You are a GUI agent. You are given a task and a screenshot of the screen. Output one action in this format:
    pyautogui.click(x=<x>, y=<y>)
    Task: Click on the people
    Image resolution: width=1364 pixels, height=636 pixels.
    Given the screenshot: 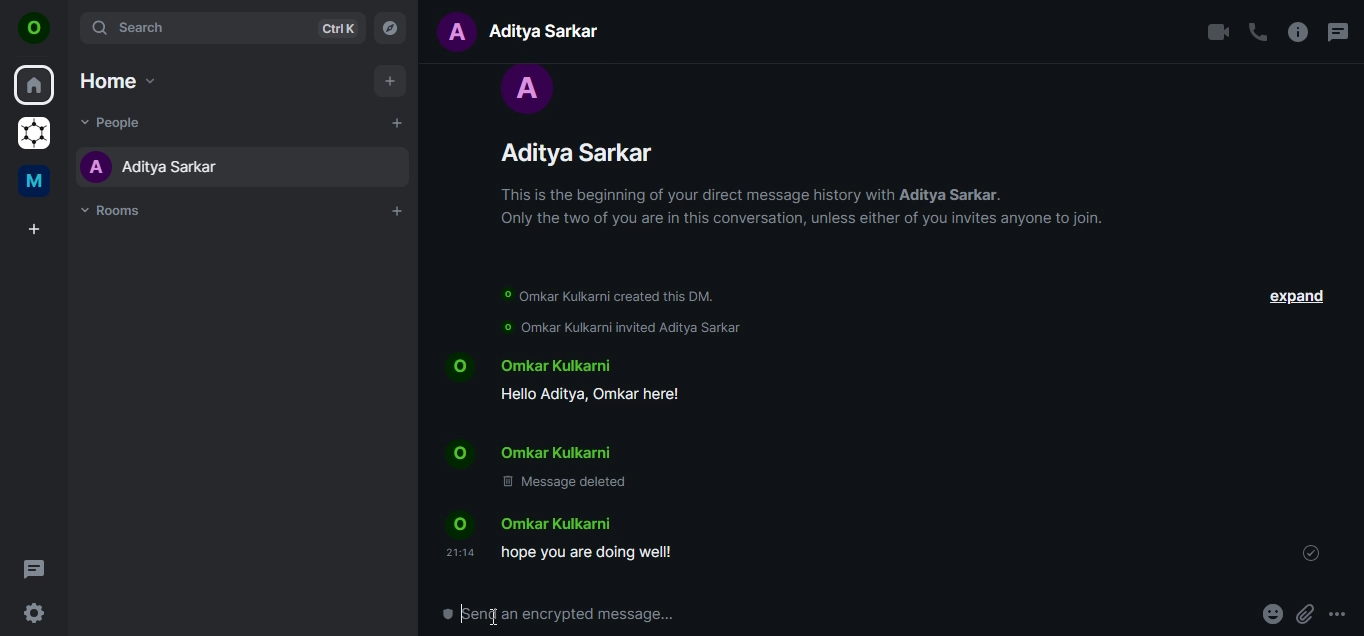 What is the action you would take?
    pyautogui.click(x=114, y=124)
    